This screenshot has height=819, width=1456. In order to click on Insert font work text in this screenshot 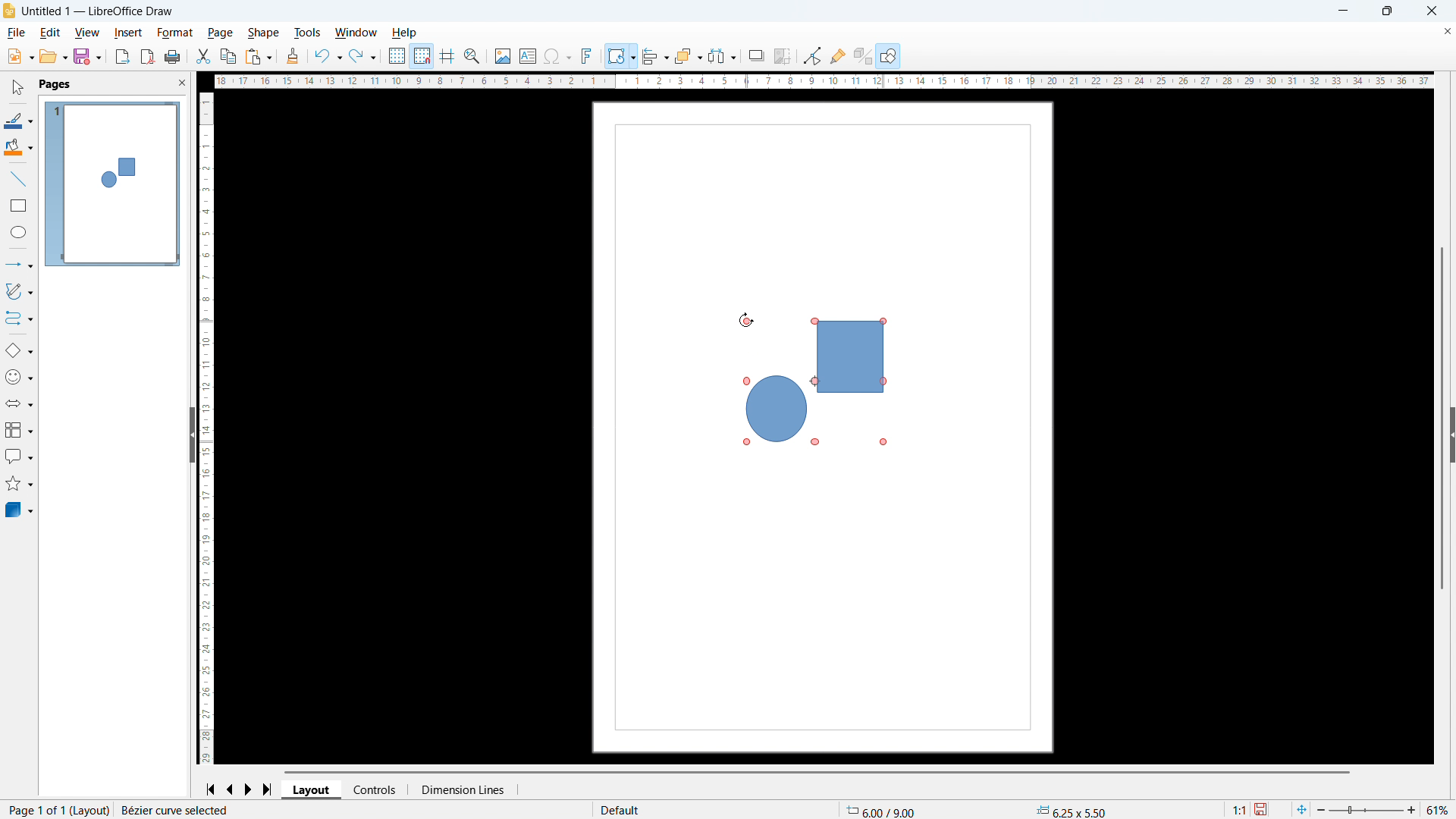, I will do `click(587, 55)`.